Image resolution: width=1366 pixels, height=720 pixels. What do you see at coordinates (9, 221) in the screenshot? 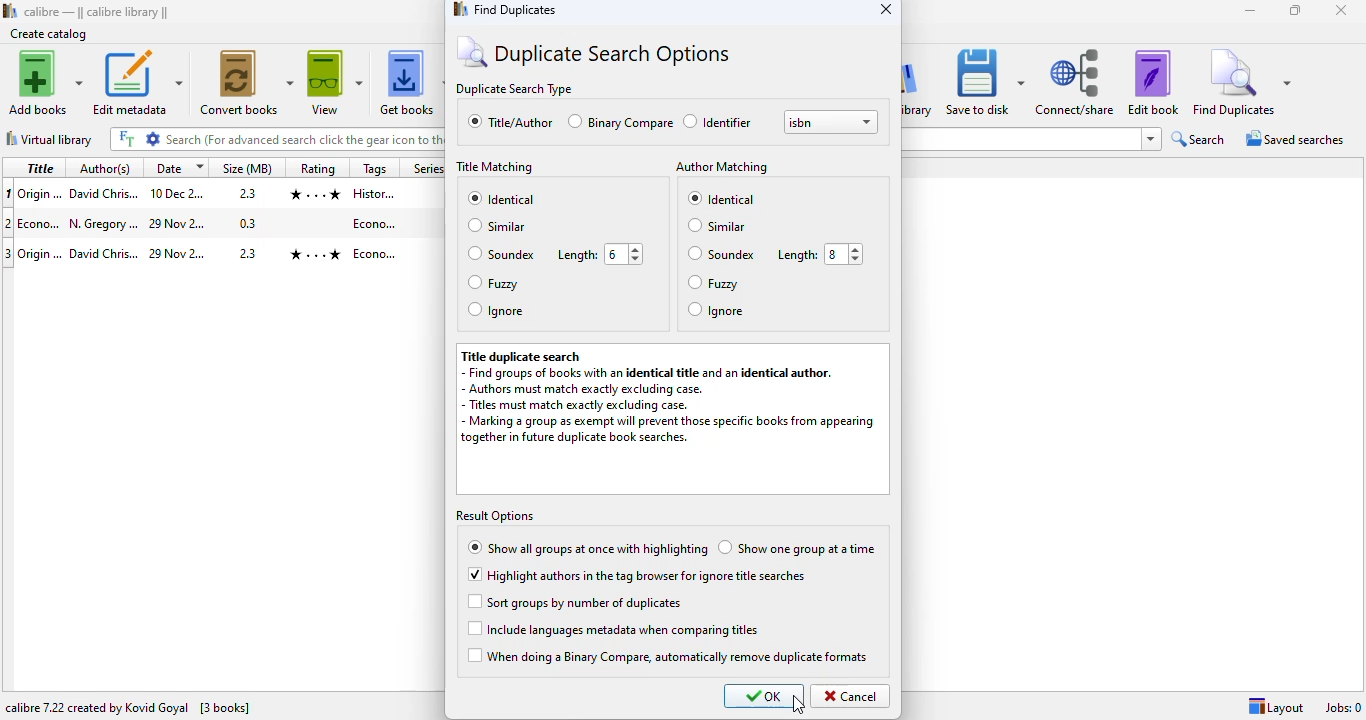
I see `index` at bounding box center [9, 221].